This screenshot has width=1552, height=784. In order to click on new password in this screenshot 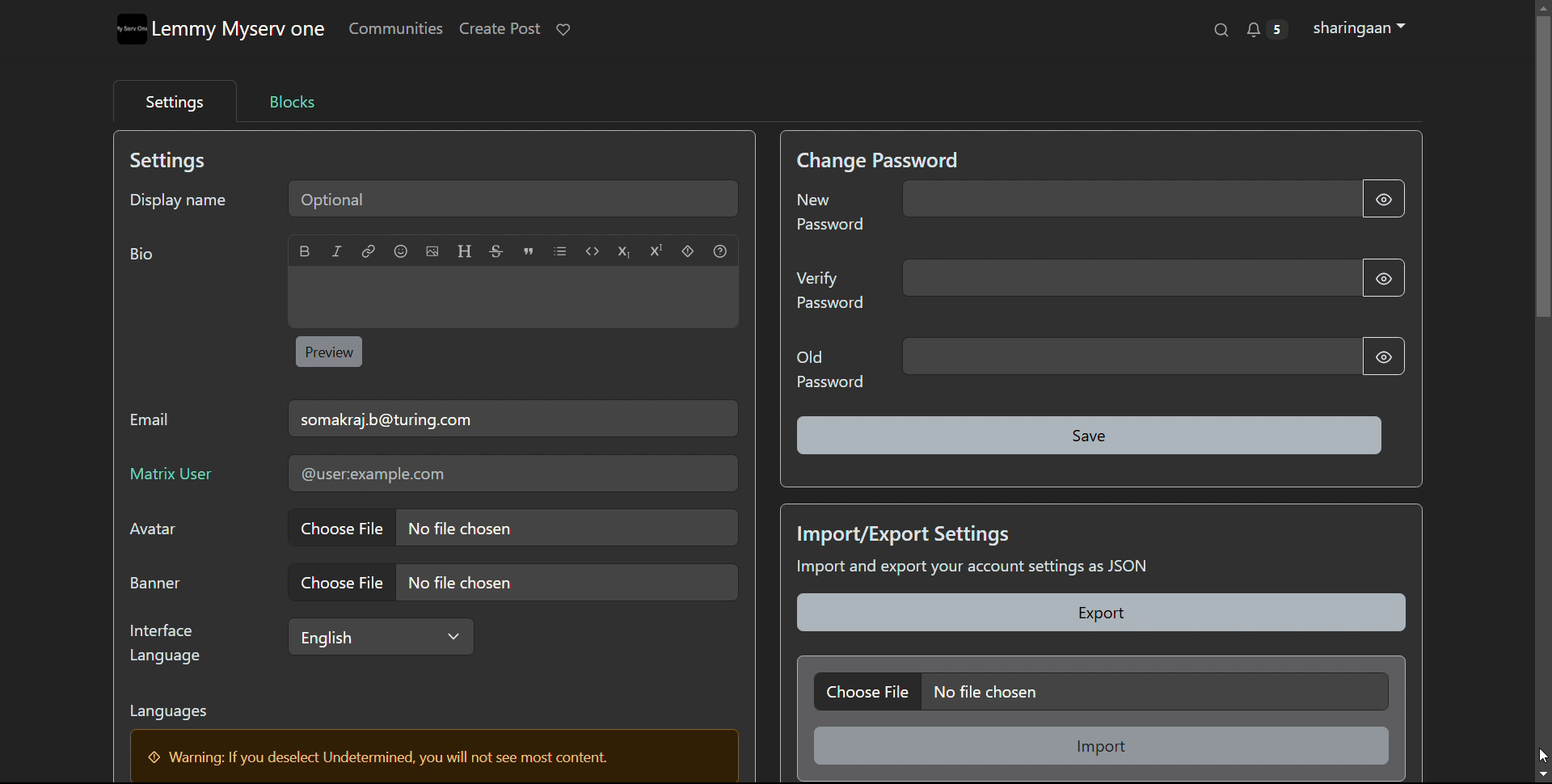, I will do `click(1128, 198)`.